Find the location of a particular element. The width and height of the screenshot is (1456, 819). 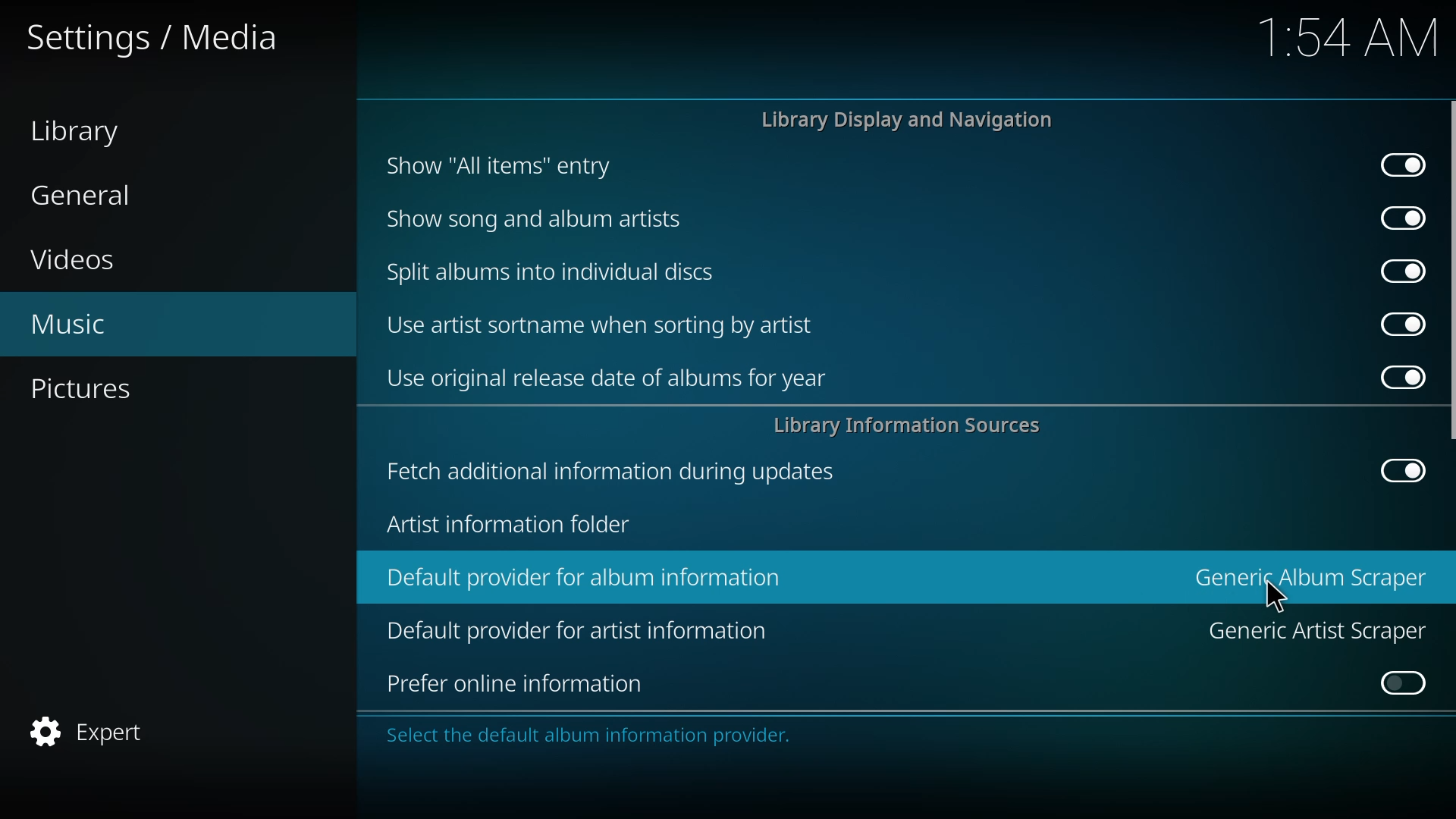

default provider for artist information is located at coordinates (579, 631).